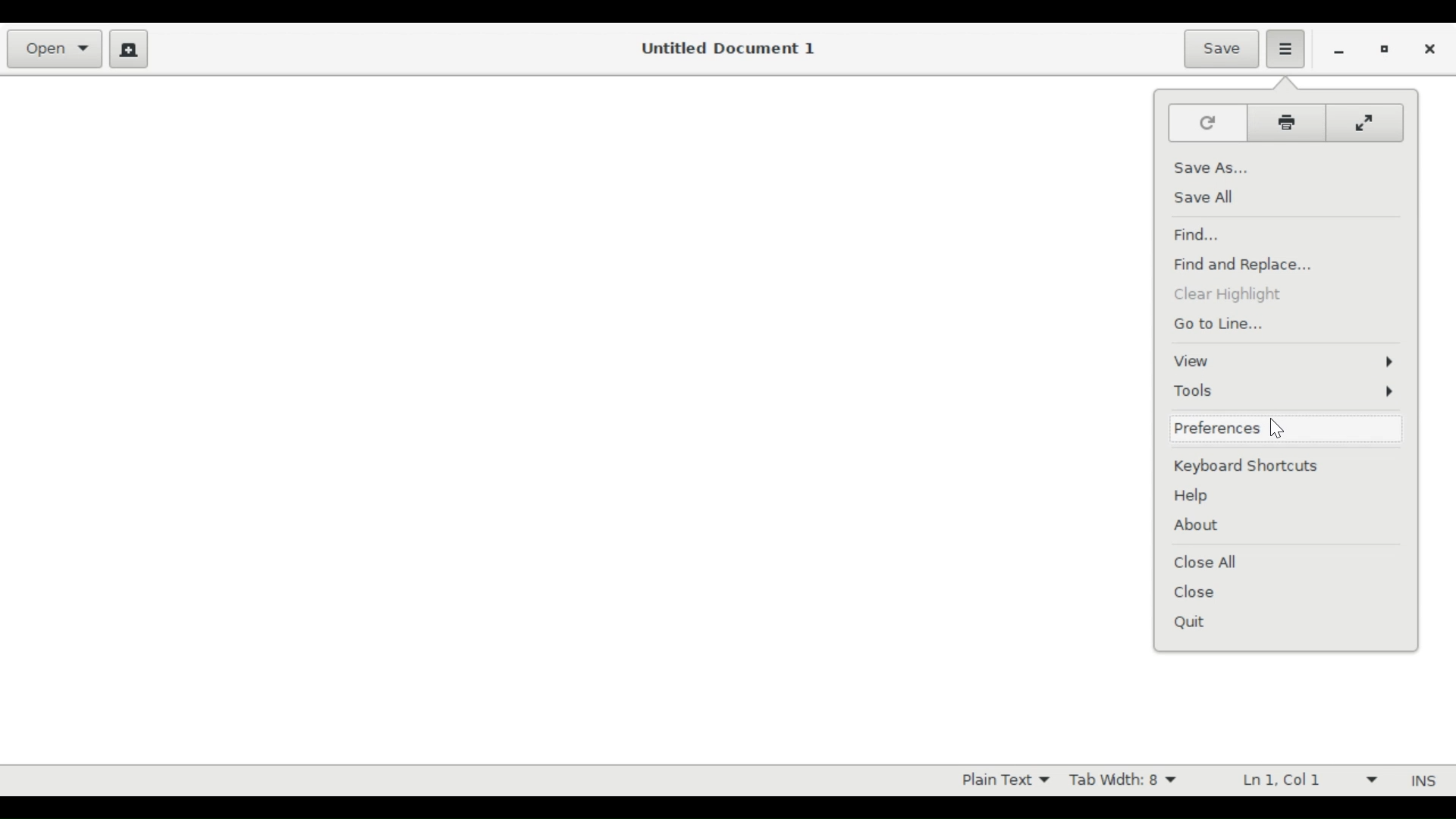 The width and height of the screenshot is (1456, 819). I want to click on Save All, so click(1204, 199).